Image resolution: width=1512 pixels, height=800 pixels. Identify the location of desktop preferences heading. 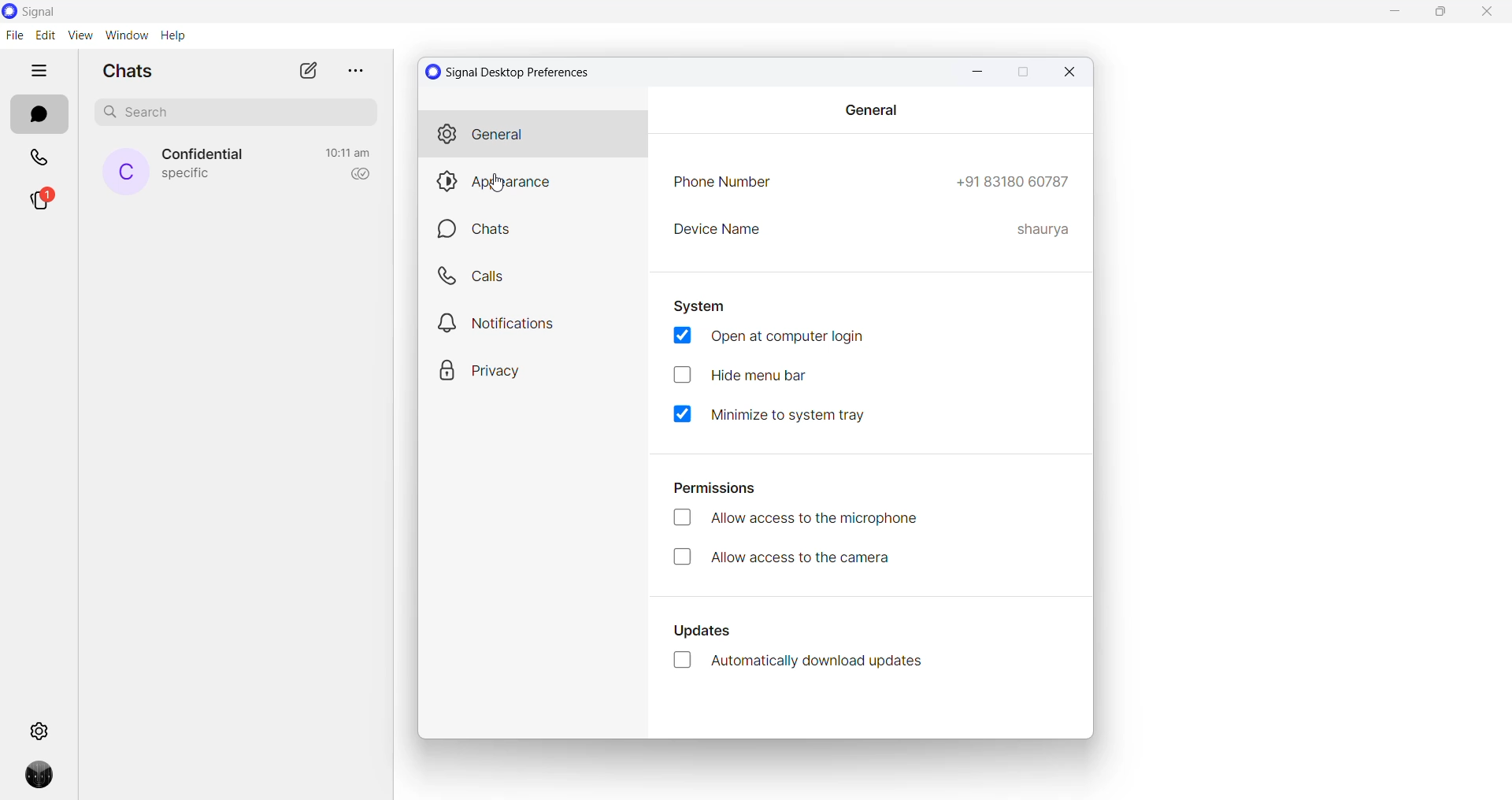
(512, 72).